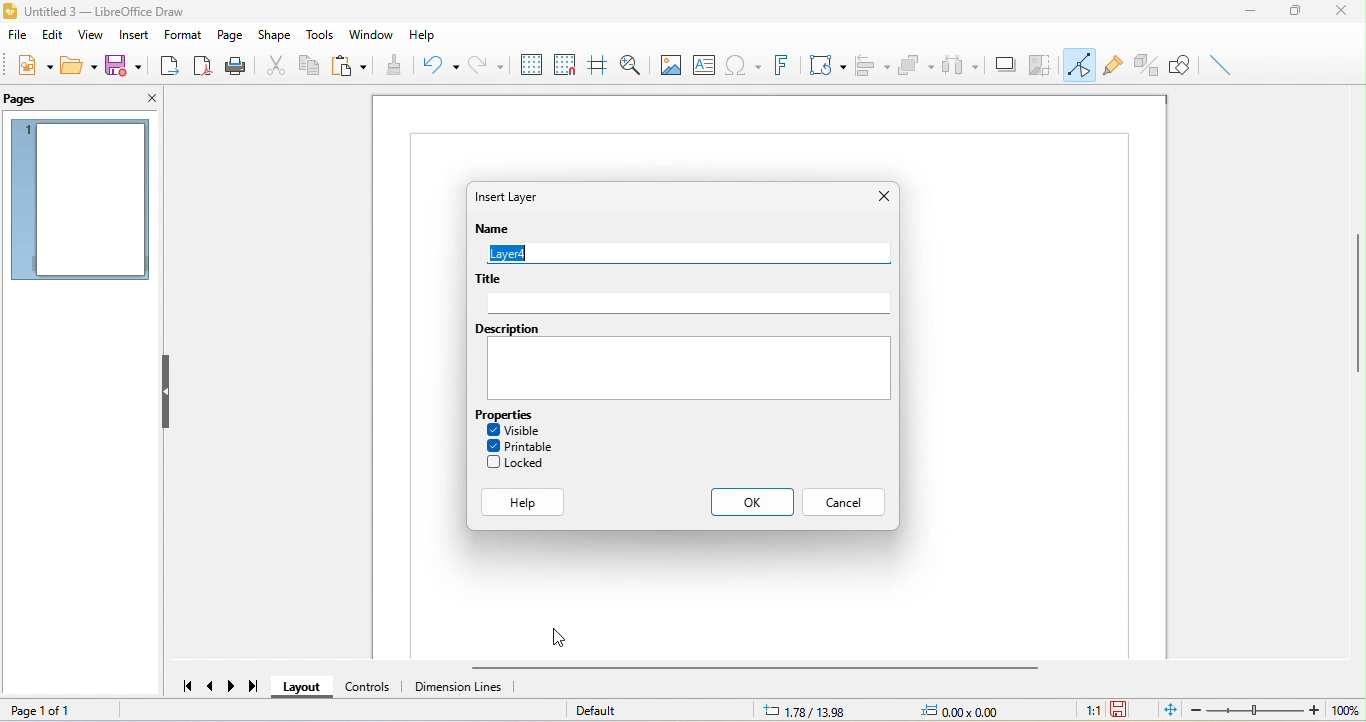  Describe the element at coordinates (1085, 711) in the screenshot. I see `1:1` at that location.